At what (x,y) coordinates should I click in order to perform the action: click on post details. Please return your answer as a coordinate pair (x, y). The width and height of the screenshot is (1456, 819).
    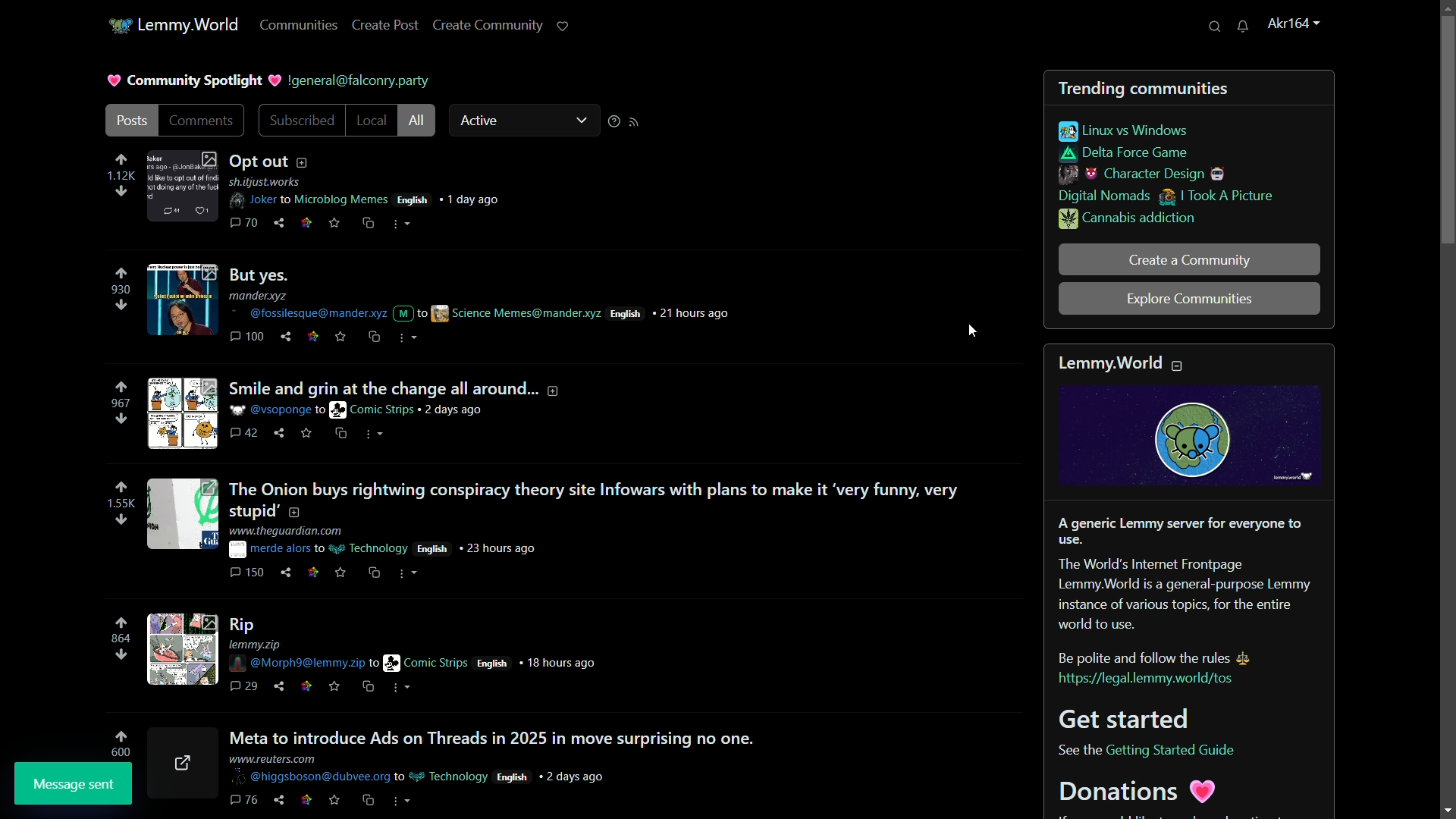
    Looking at the image, I should click on (391, 541).